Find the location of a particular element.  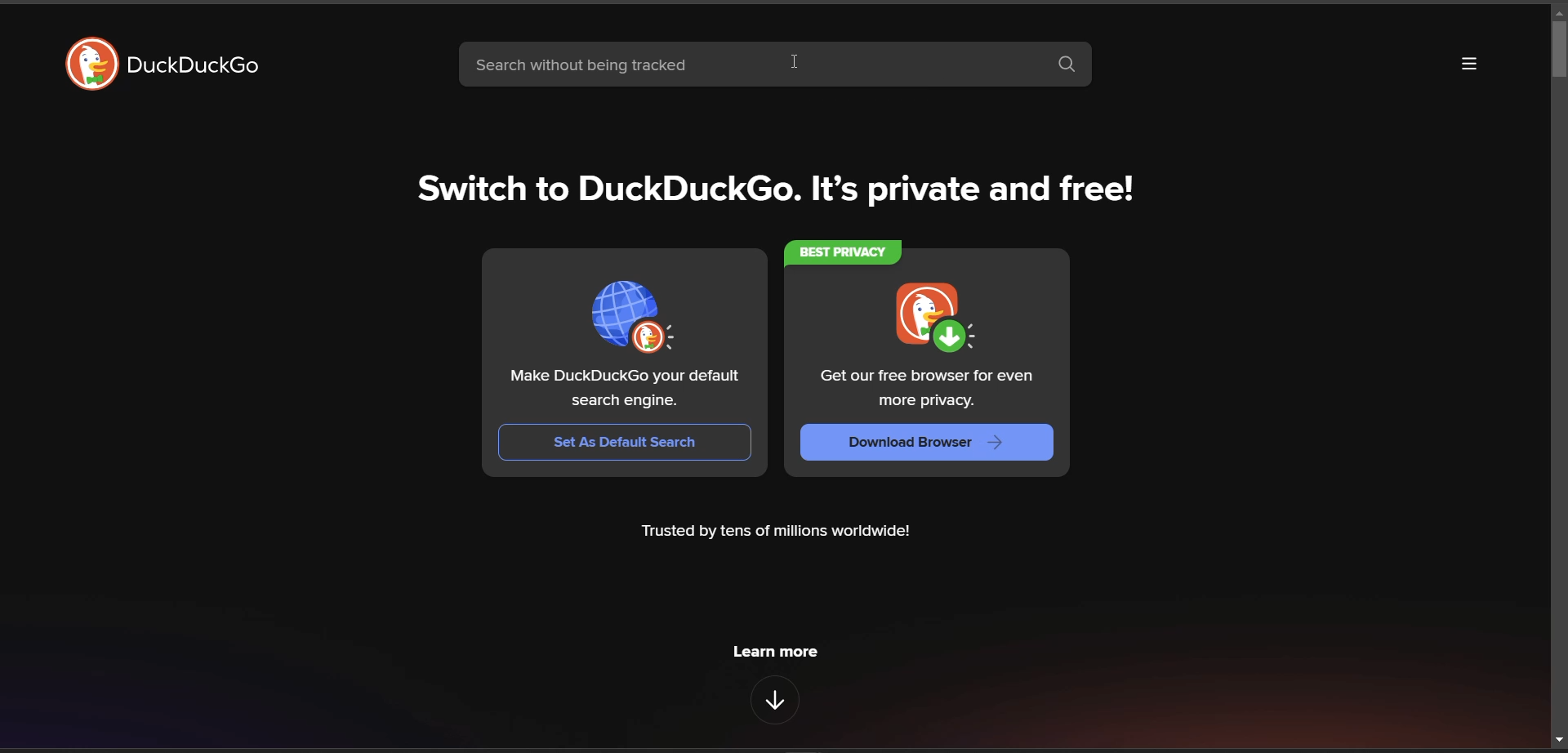

download browser is located at coordinates (929, 440).